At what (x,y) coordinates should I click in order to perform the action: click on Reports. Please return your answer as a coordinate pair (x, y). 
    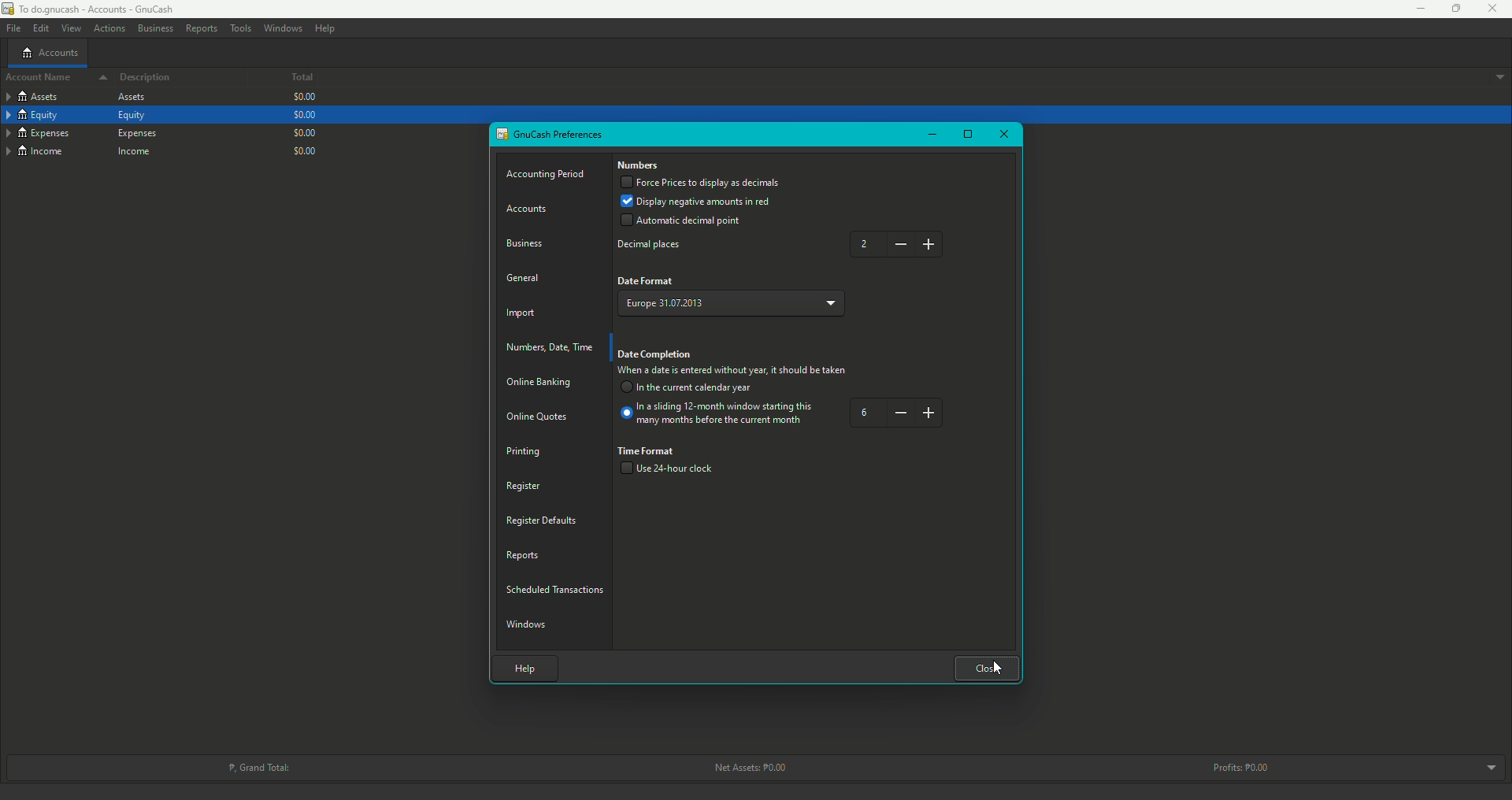
    Looking at the image, I should click on (201, 28).